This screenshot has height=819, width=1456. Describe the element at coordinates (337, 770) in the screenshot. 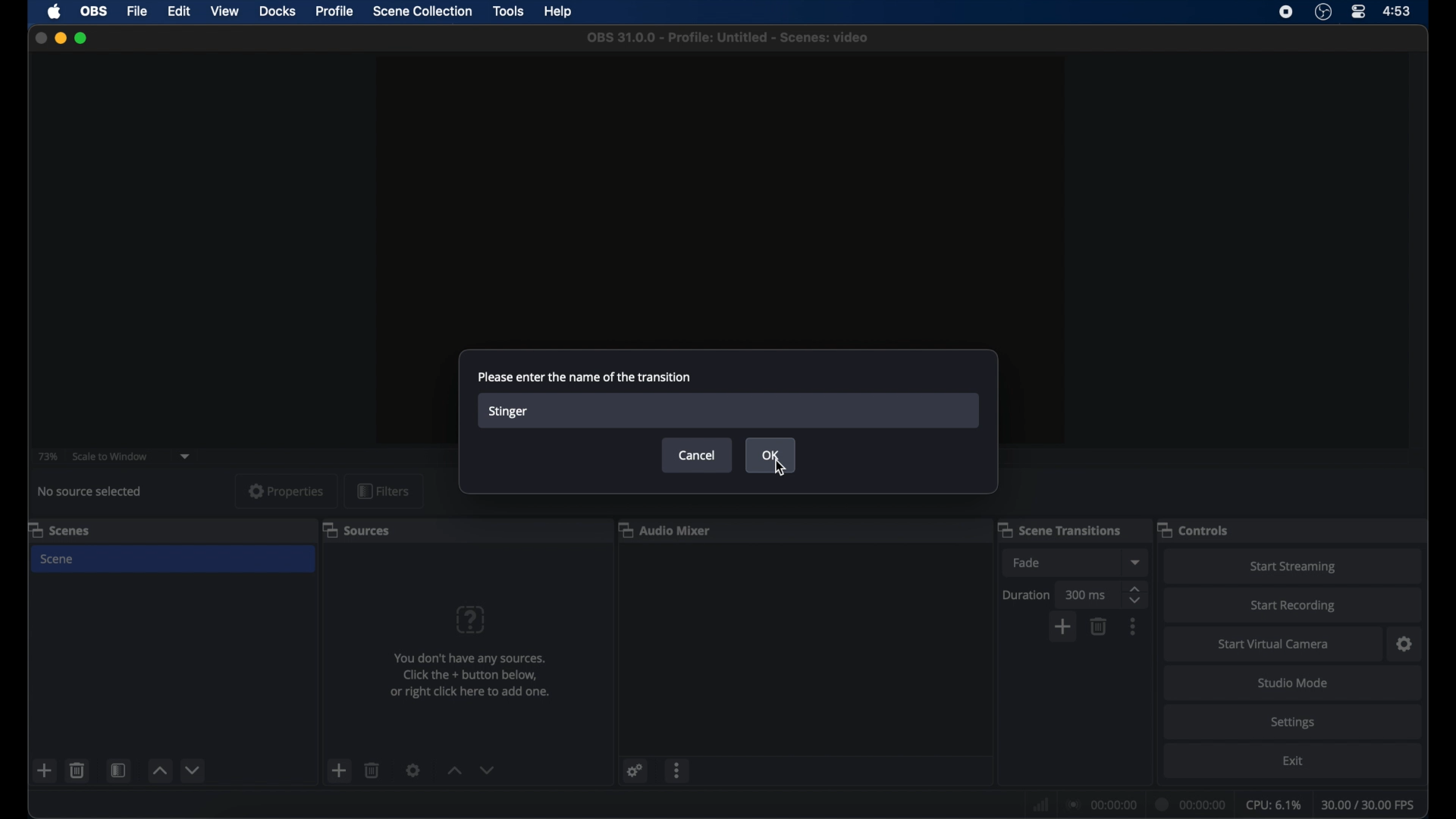

I see `add` at that location.